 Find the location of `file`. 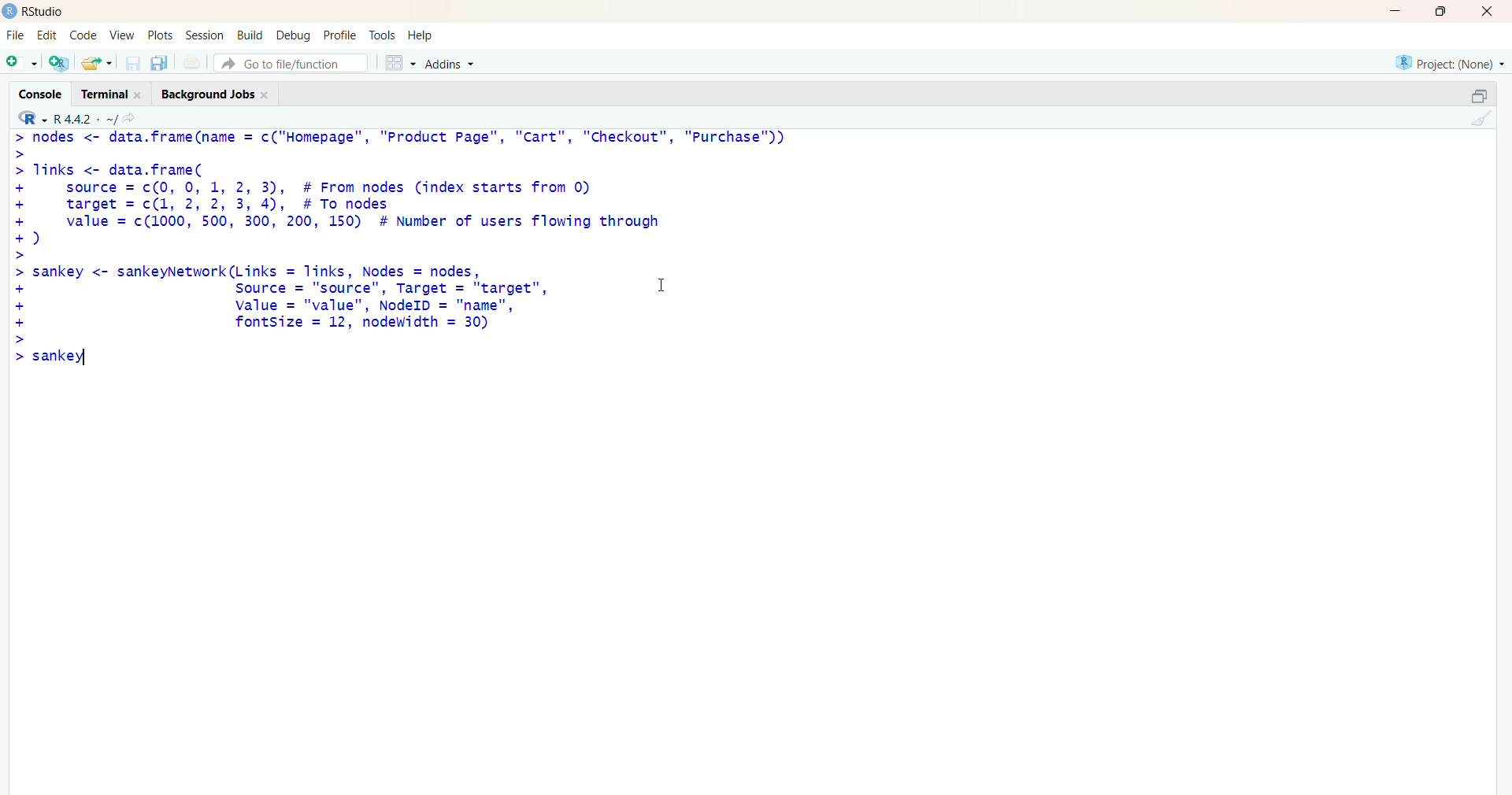

file is located at coordinates (194, 62).